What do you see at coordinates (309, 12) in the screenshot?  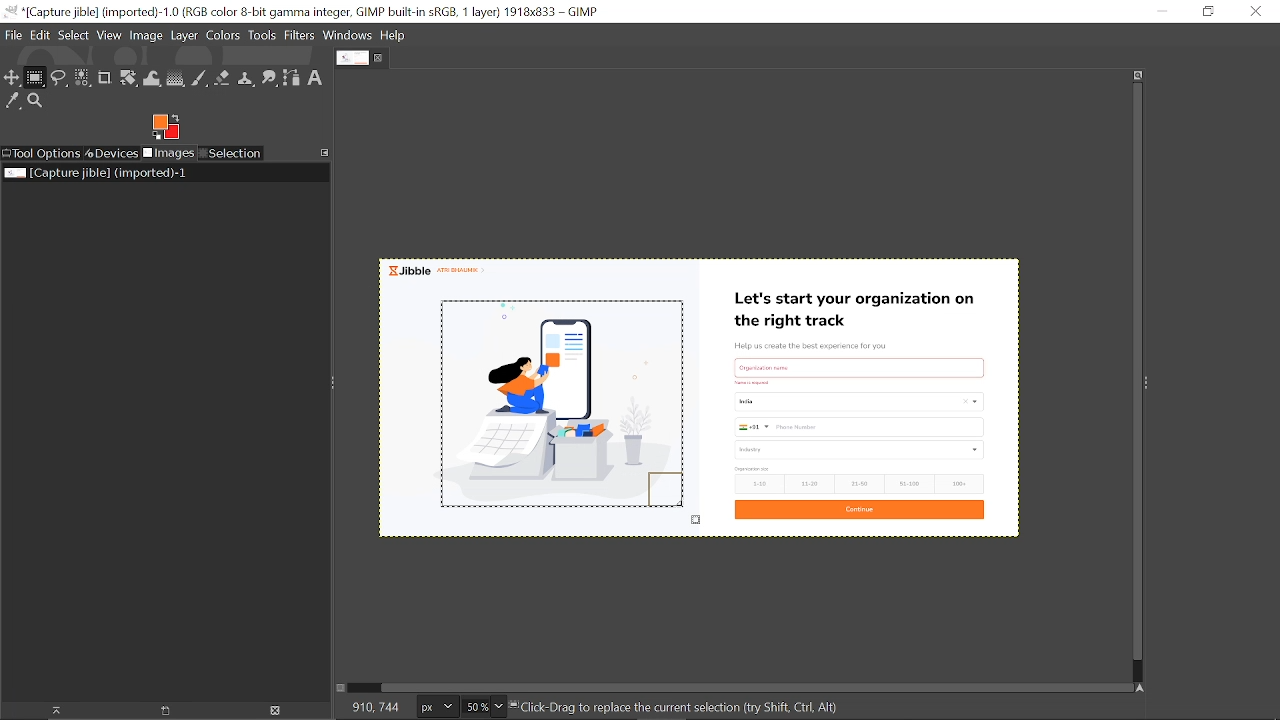 I see `Current window` at bounding box center [309, 12].